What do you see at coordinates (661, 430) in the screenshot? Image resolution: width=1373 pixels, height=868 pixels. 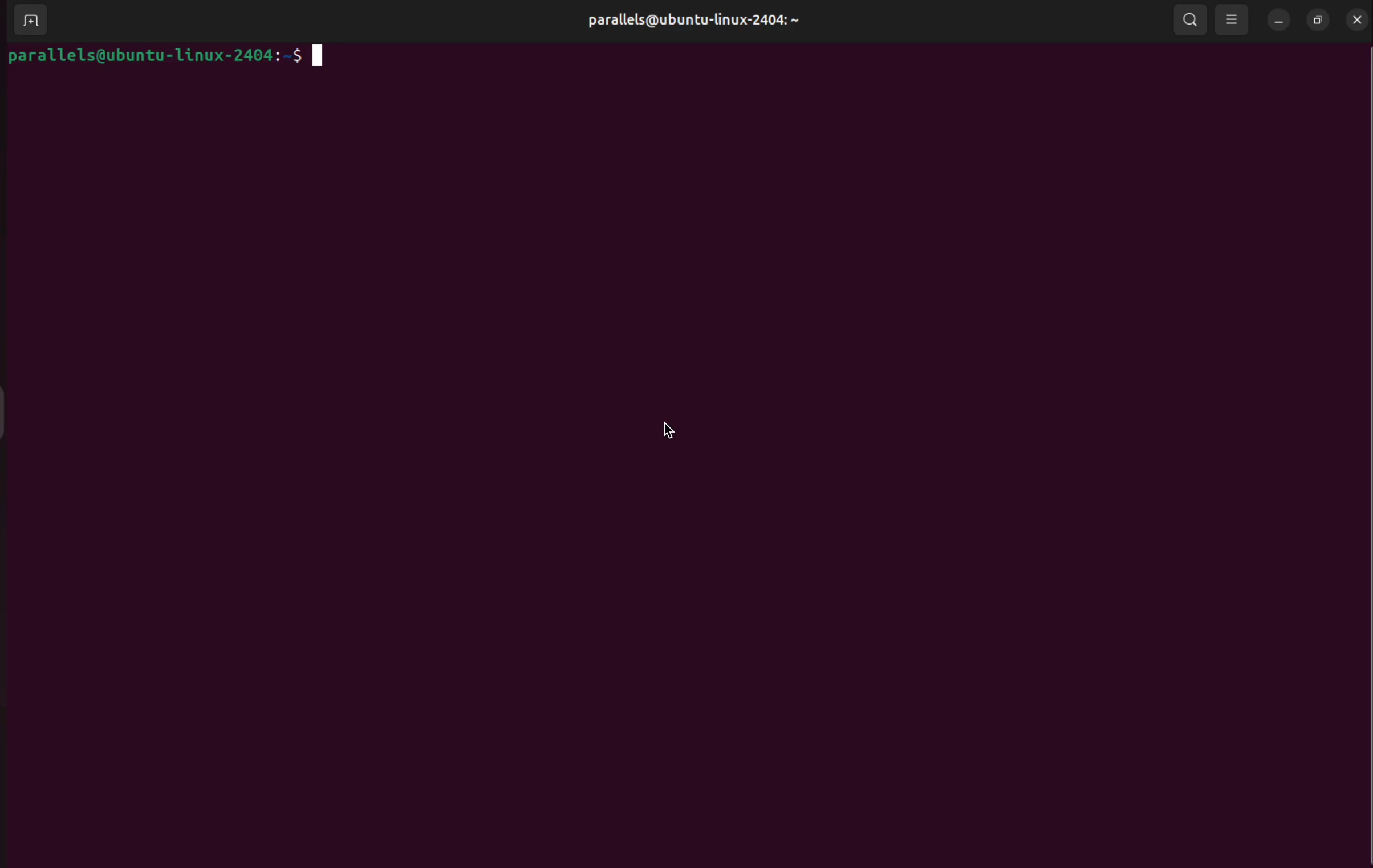 I see `cursor` at bounding box center [661, 430].